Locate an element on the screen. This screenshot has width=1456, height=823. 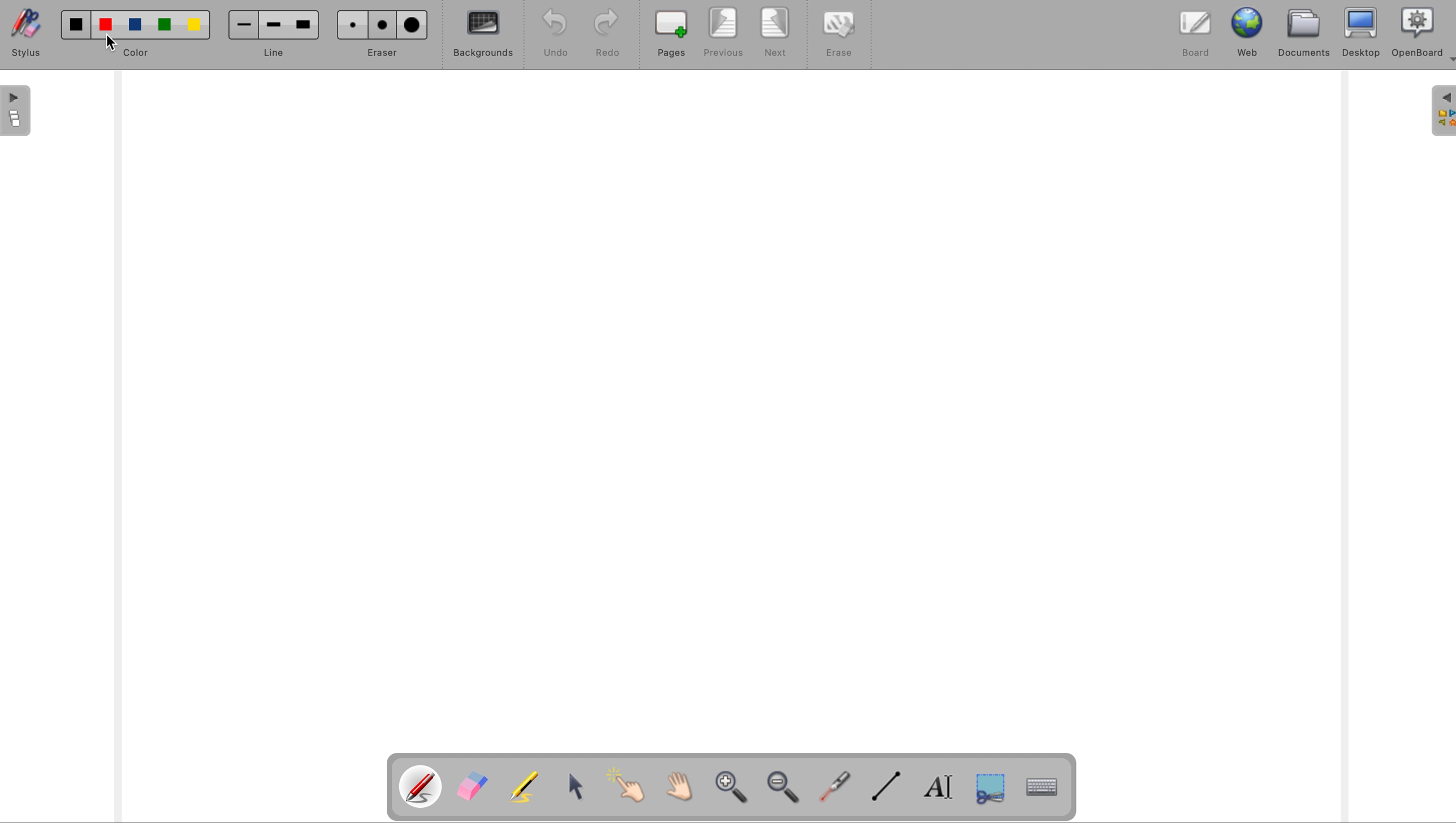
eraser is located at coordinates (384, 34).